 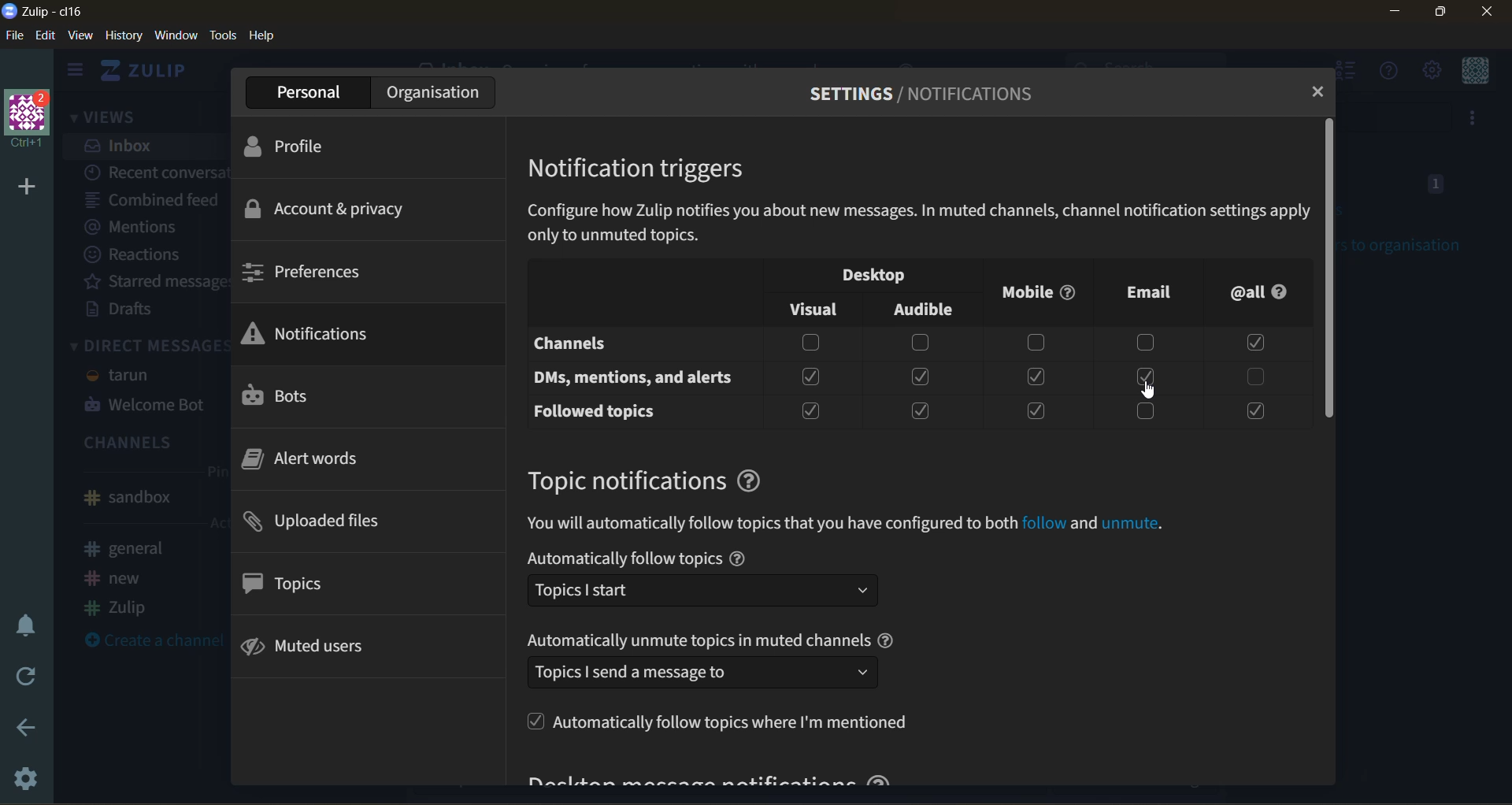 What do you see at coordinates (1478, 72) in the screenshot?
I see `personal menu` at bounding box center [1478, 72].